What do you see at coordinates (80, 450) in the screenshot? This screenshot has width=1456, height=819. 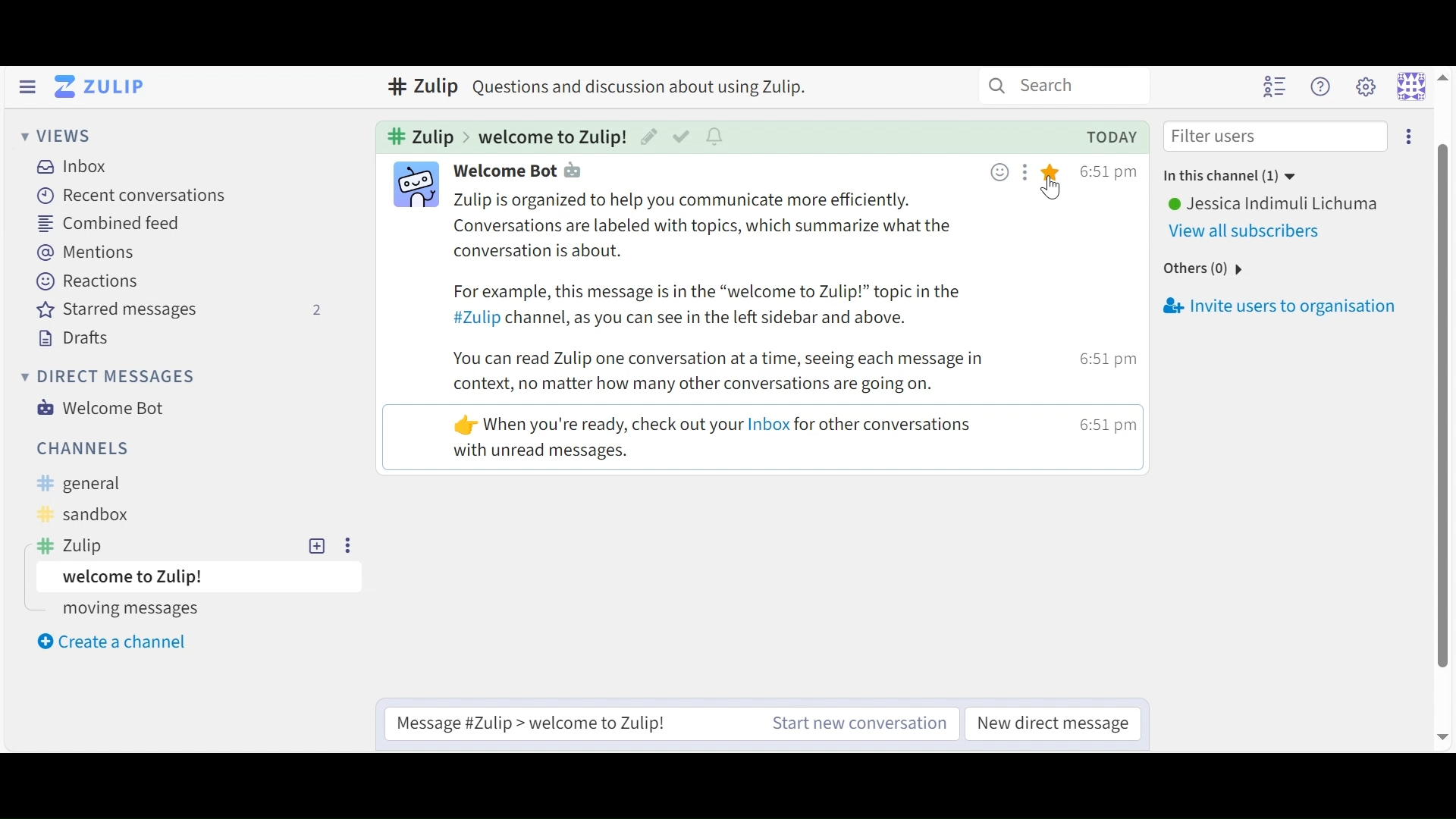 I see `Channels` at bounding box center [80, 450].